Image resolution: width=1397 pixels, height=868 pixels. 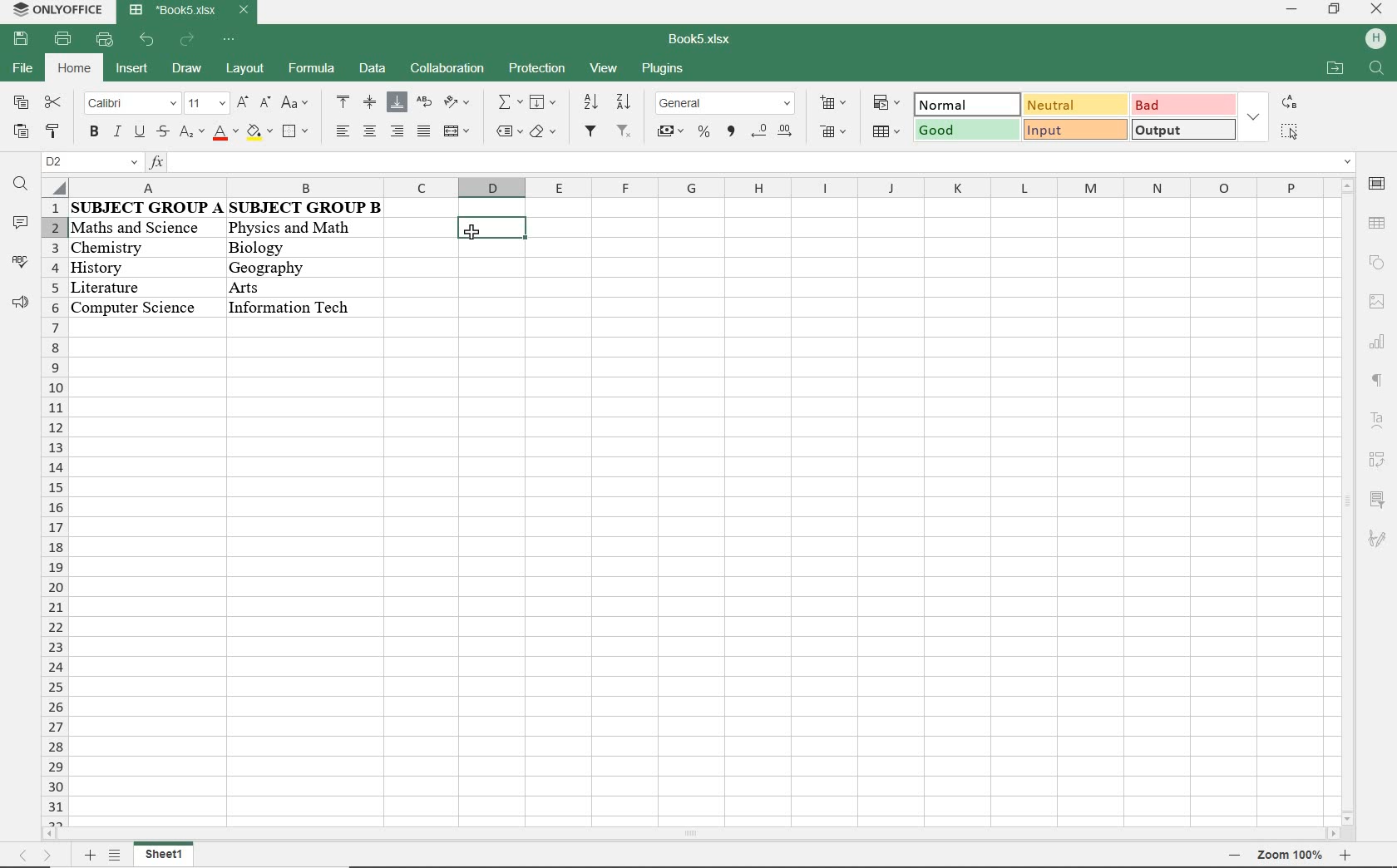 What do you see at coordinates (77, 67) in the screenshot?
I see `home` at bounding box center [77, 67].